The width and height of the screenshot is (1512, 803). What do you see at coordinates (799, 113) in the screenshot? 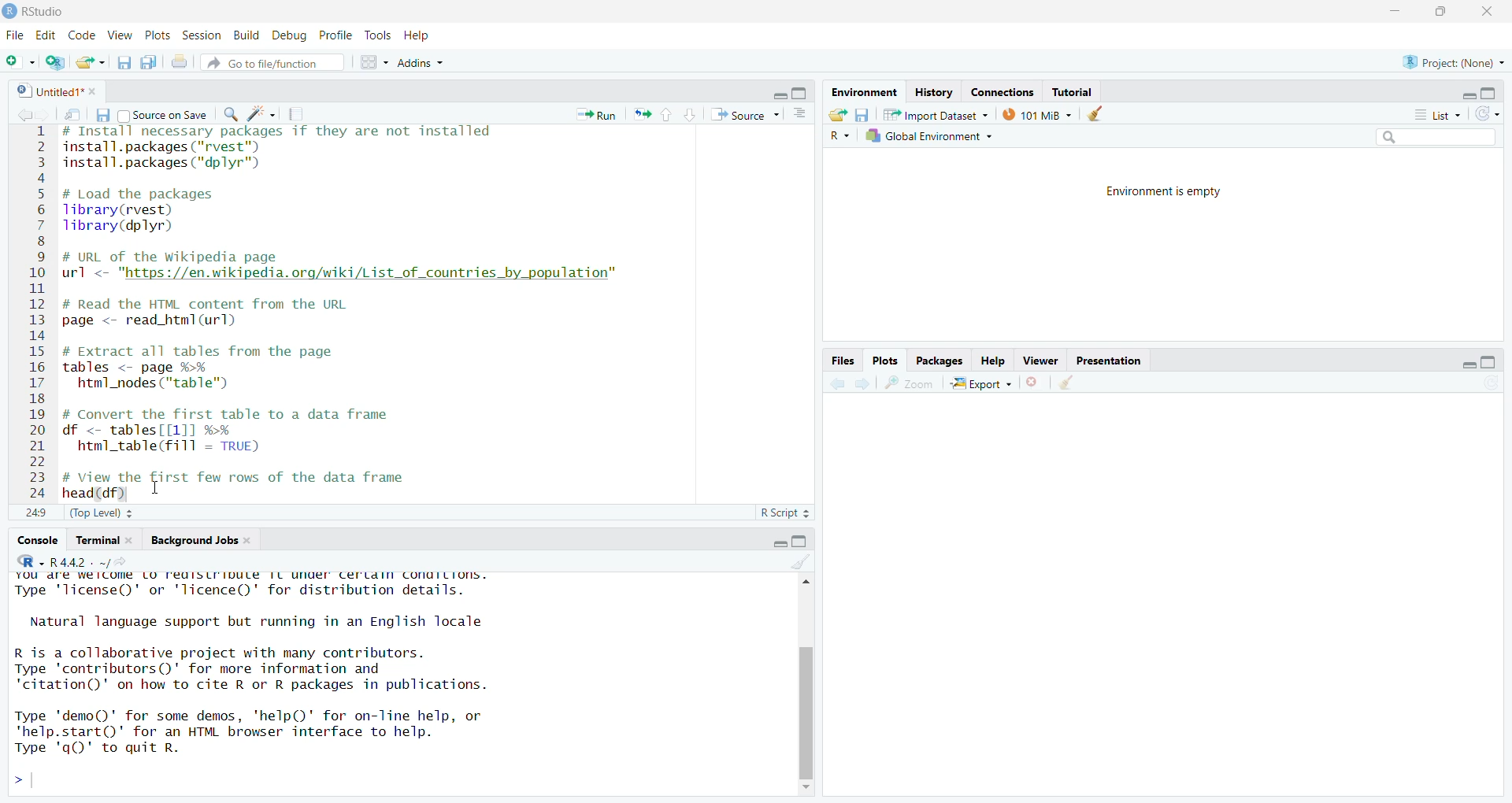
I see `options` at bounding box center [799, 113].